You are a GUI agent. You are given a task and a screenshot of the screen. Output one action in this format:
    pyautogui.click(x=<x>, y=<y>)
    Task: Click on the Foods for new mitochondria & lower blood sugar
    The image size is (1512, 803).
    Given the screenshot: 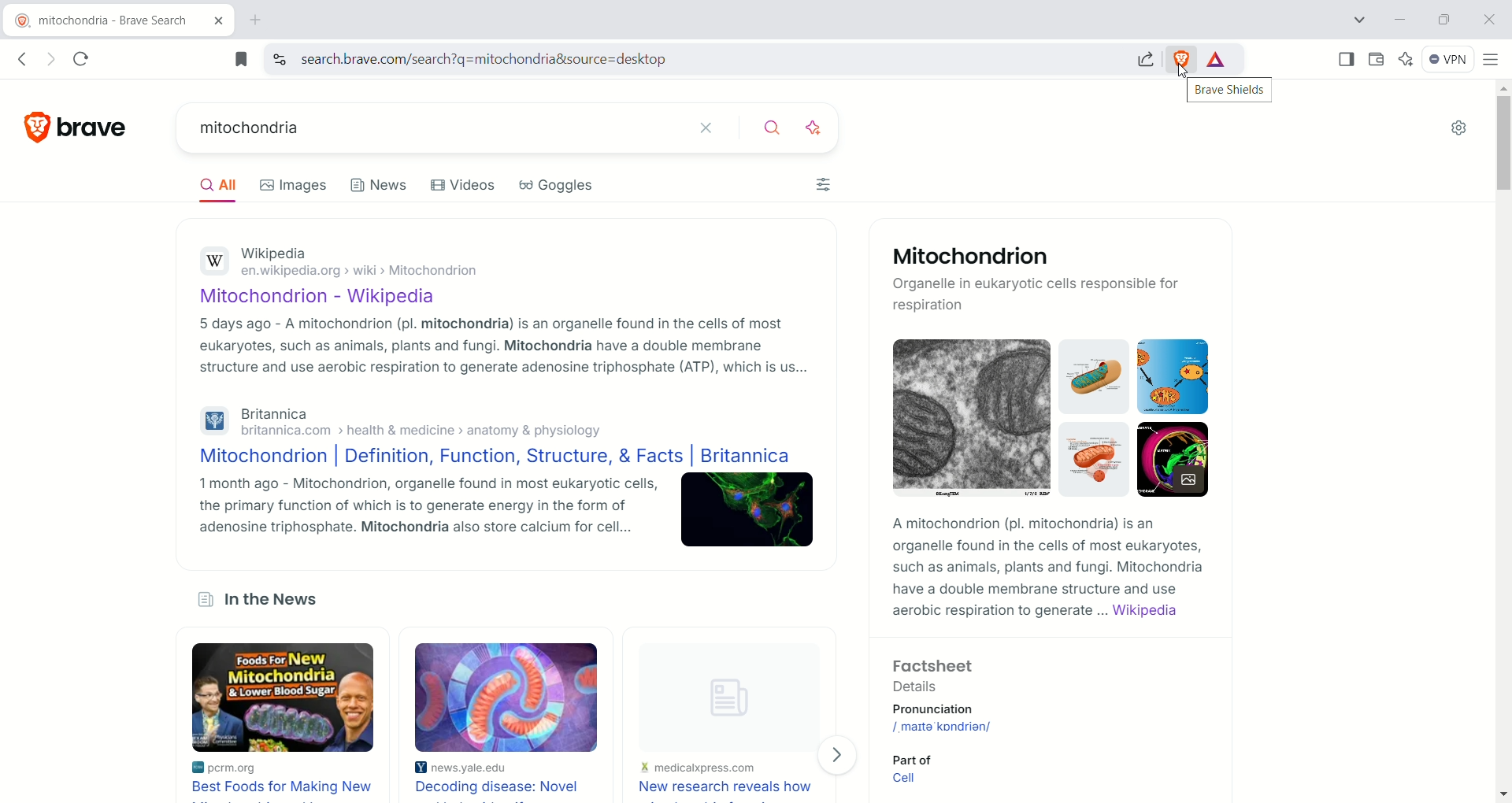 What is the action you would take?
    pyautogui.click(x=285, y=698)
    